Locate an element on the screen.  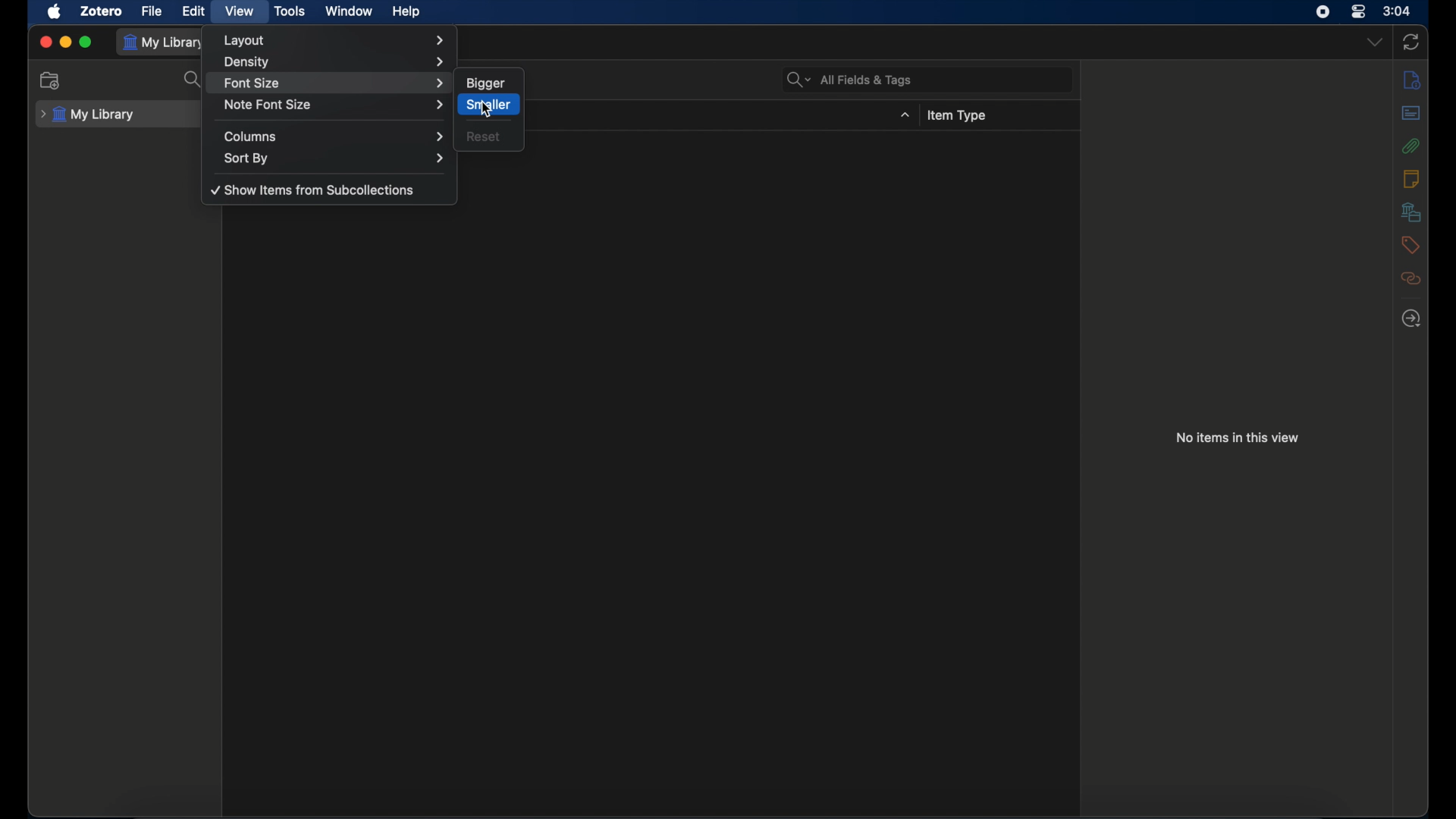
smaller is located at coordinates (490, 105).